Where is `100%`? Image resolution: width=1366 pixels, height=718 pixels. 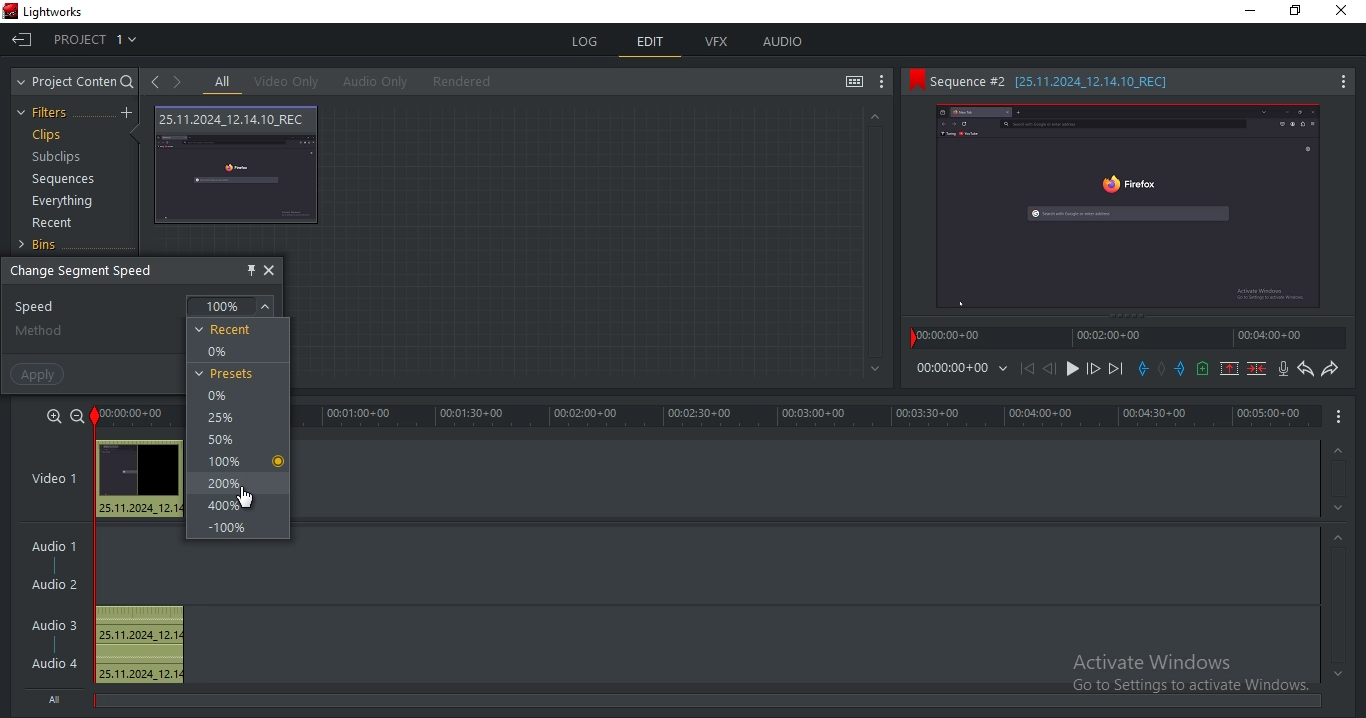 100% is located at coordinates (224, 462).